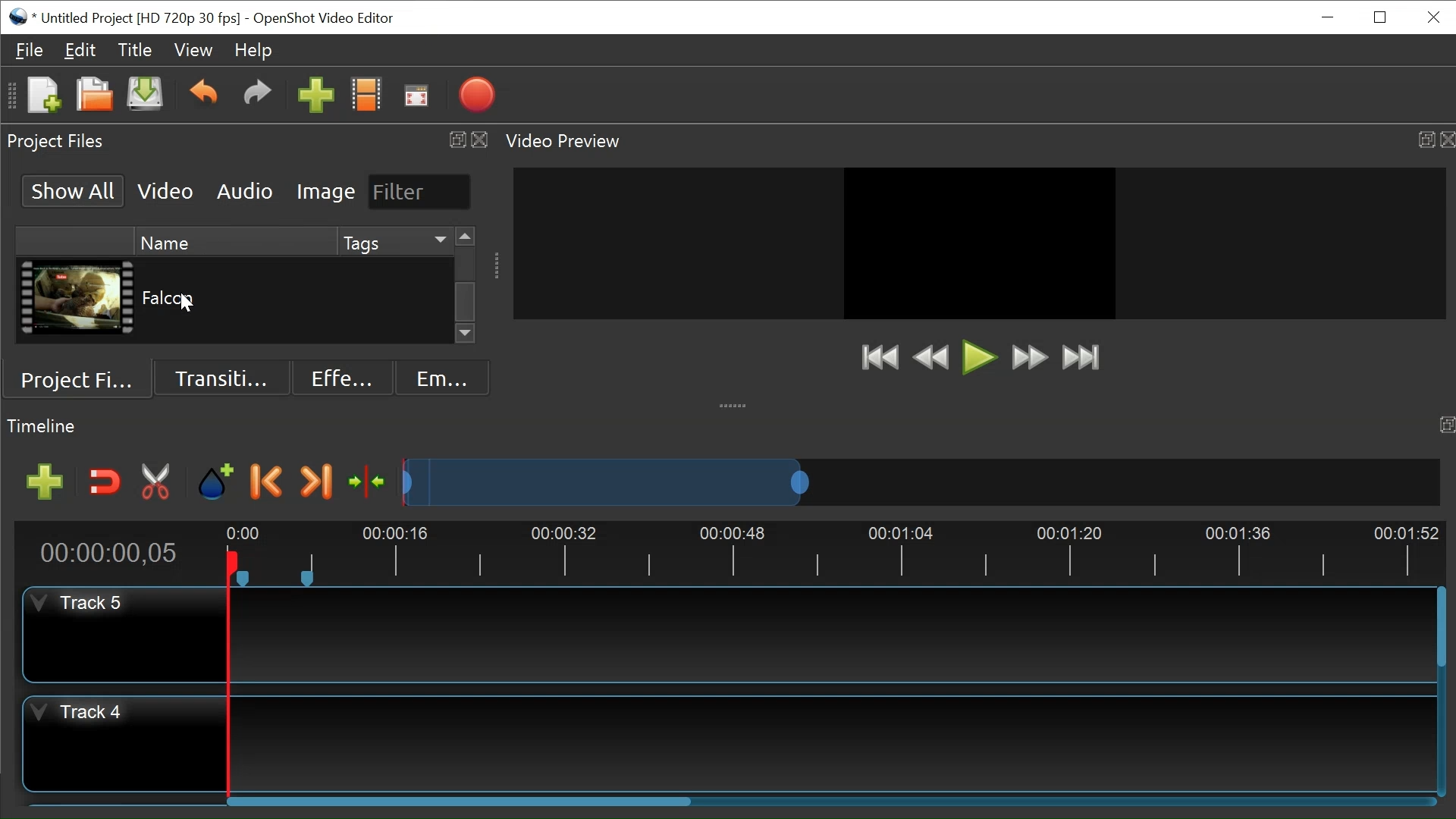 This screenshot has width=1456, height=819. What do you see at coordinates (979, 357) in the screenshot?
I see `Play` at bounding box center [979, 357].